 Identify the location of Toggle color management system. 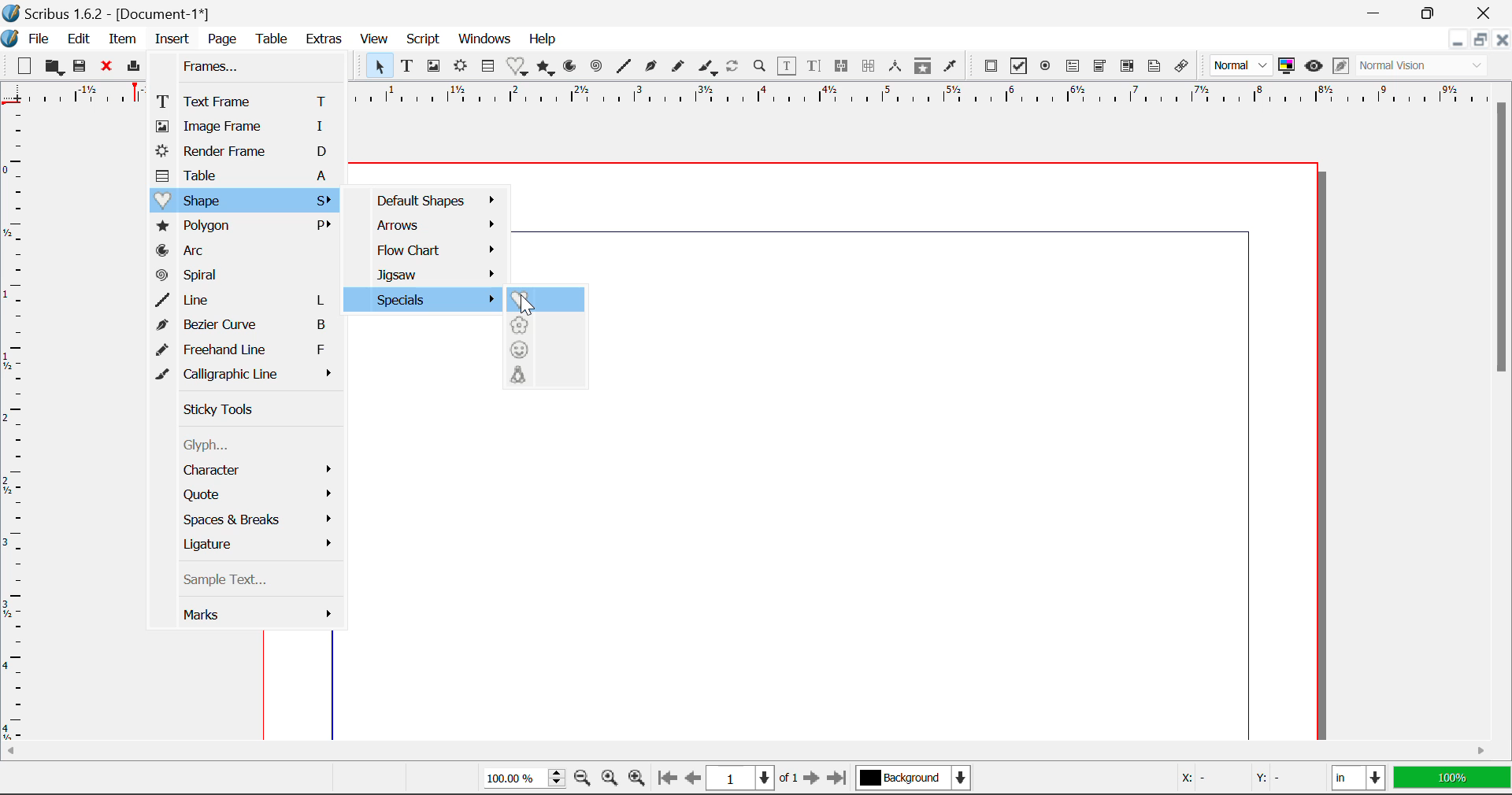
(1287, 67).